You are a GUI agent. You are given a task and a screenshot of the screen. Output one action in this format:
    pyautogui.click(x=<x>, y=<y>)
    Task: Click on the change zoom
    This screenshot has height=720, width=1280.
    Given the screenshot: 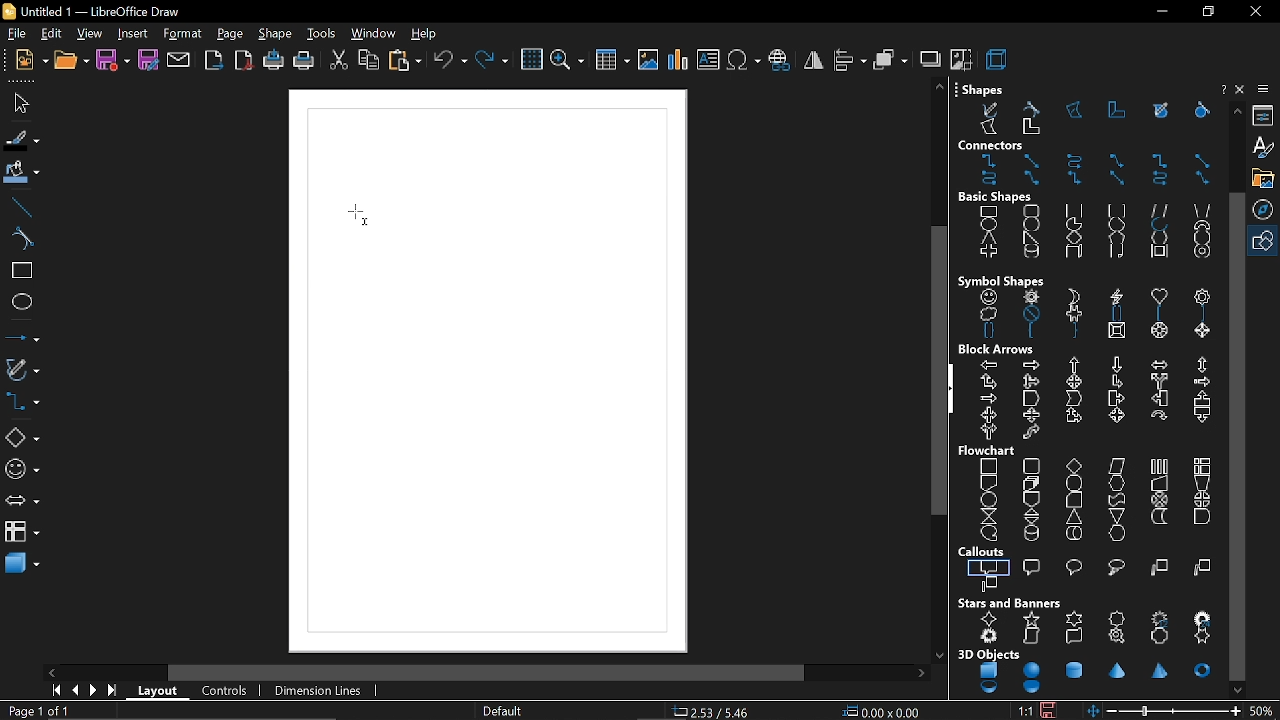 What is the action you would take?
    pyautogui.click(x=1175, y=710)
    